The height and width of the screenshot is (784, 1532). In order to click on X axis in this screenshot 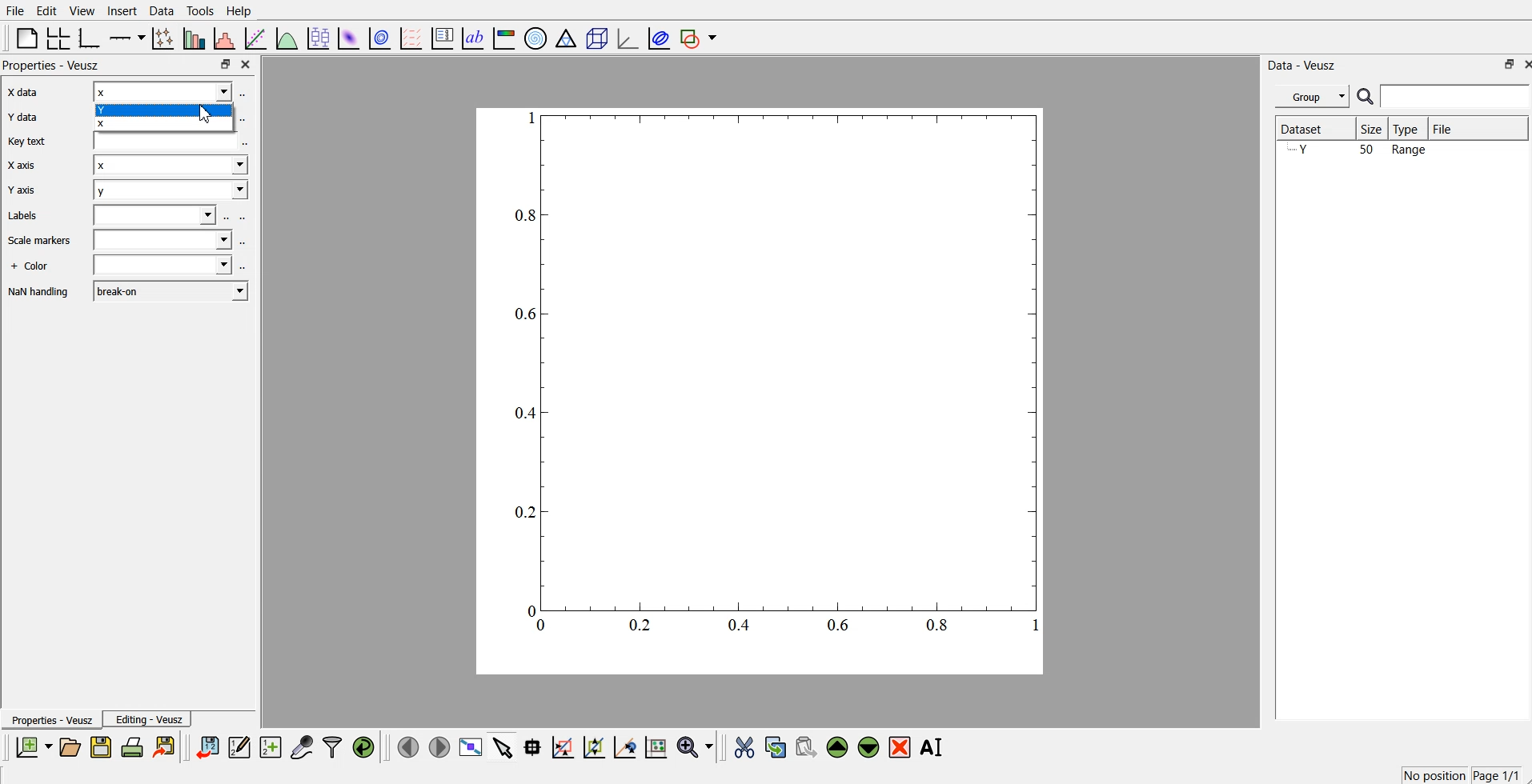, I will do `click(30, 166)`.